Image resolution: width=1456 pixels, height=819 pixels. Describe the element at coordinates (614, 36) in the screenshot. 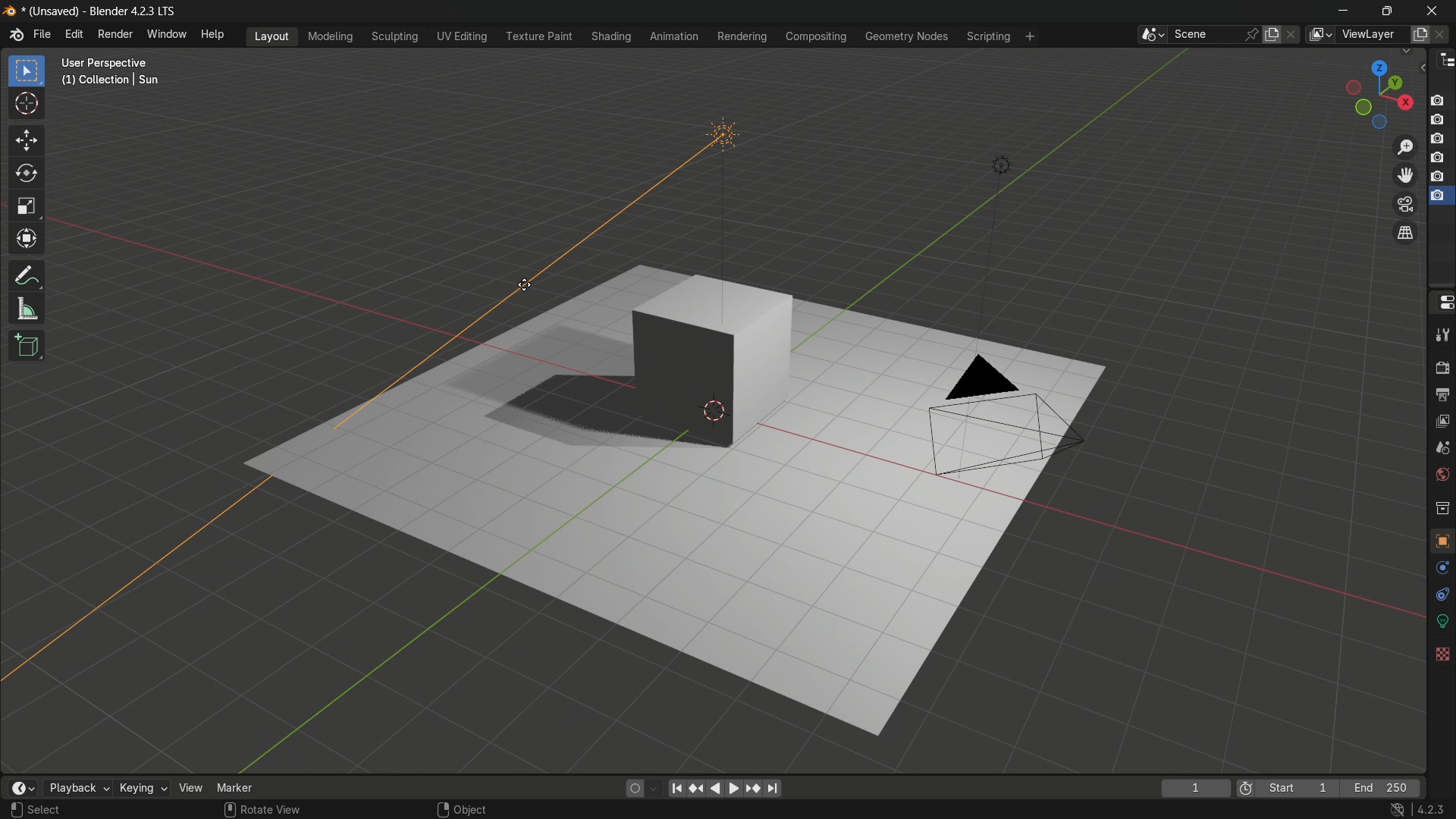

I see `shading` at that location.